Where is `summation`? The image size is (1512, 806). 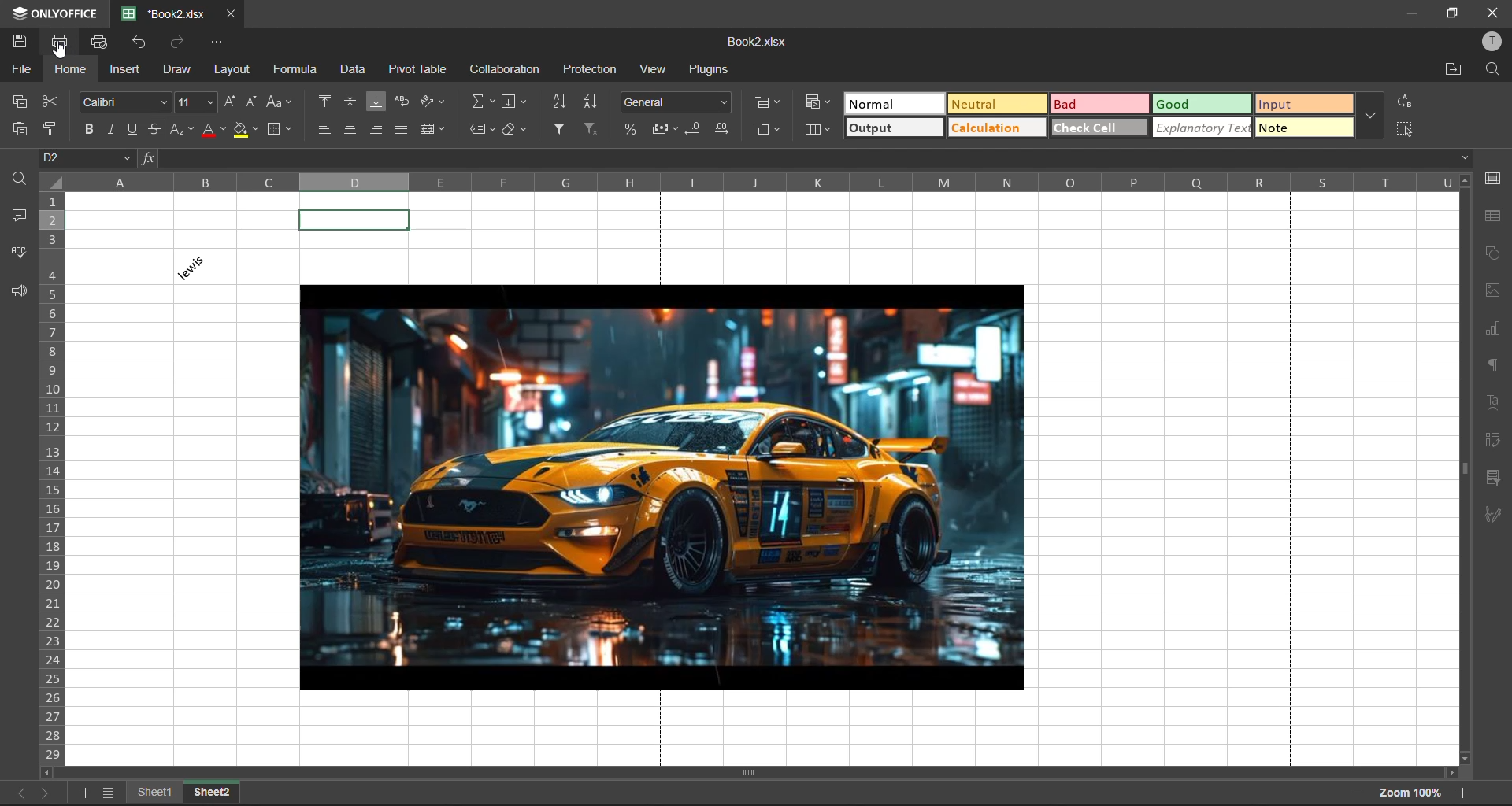 summation is located at coordinates (481, 102).